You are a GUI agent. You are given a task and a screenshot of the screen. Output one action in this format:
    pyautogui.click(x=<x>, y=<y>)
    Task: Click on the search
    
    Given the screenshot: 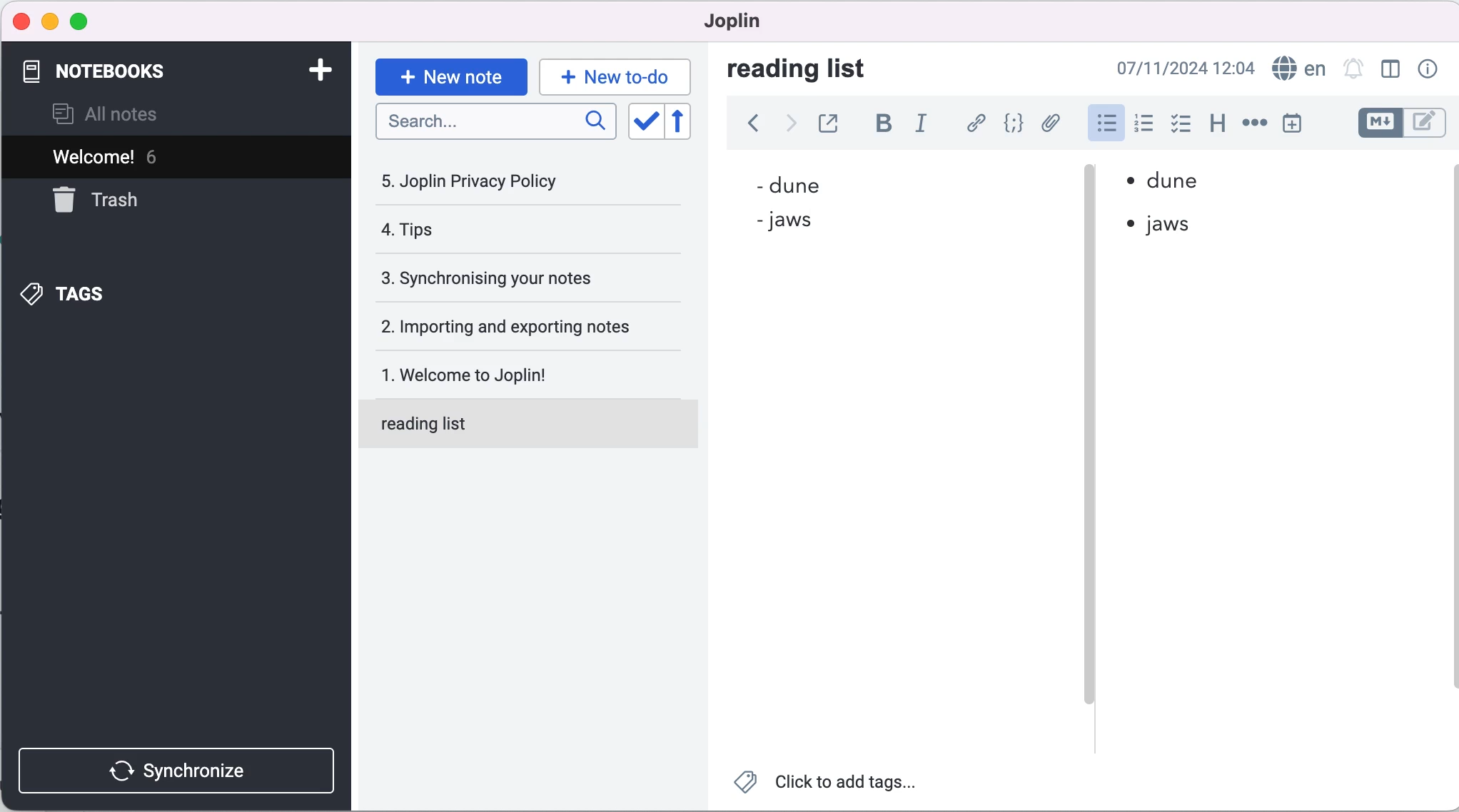 What is the action you would take?
    pyautogui.click(x=495, y=121)
    